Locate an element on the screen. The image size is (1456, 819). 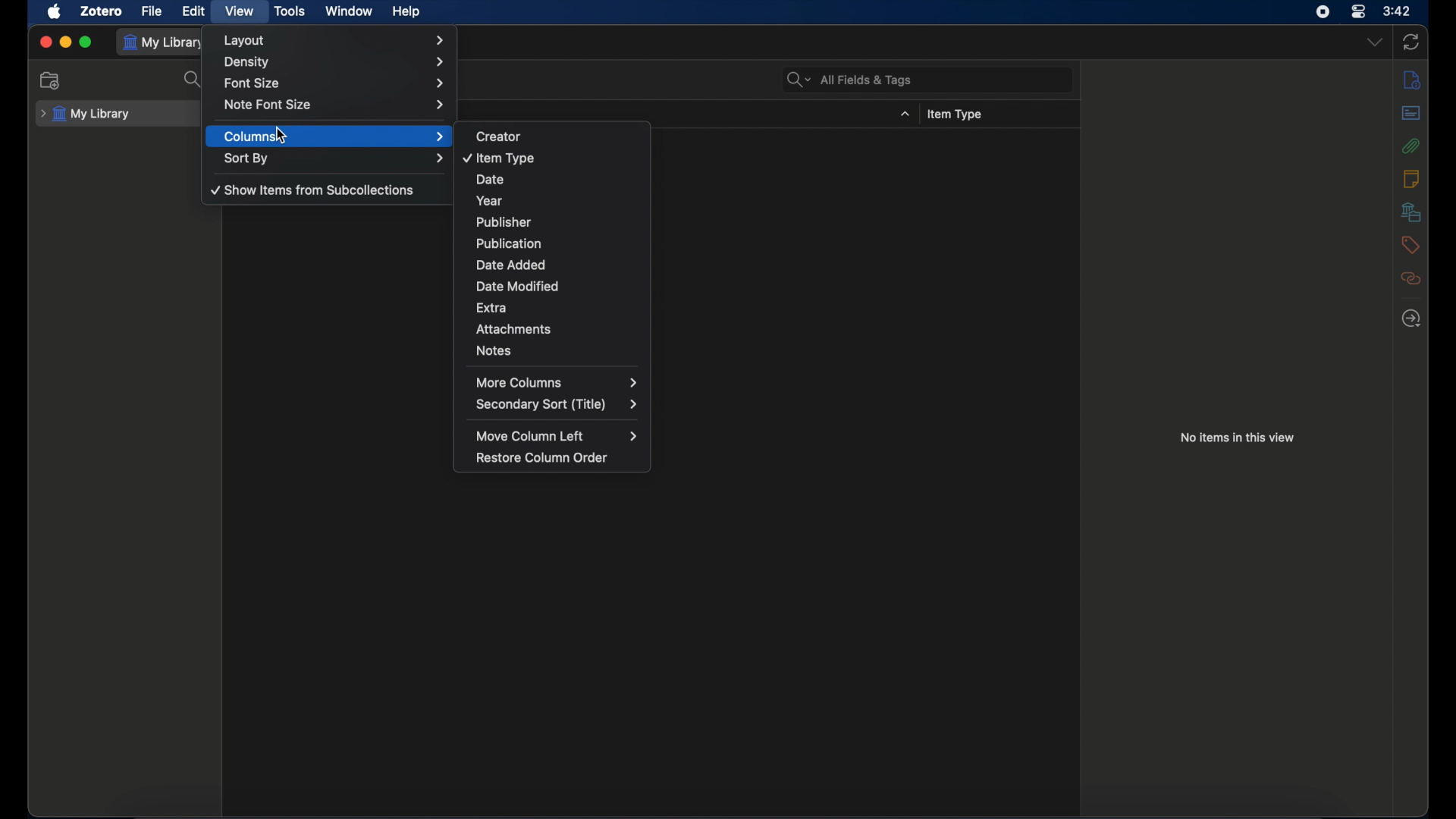
year is located at coordinates (557, 199).